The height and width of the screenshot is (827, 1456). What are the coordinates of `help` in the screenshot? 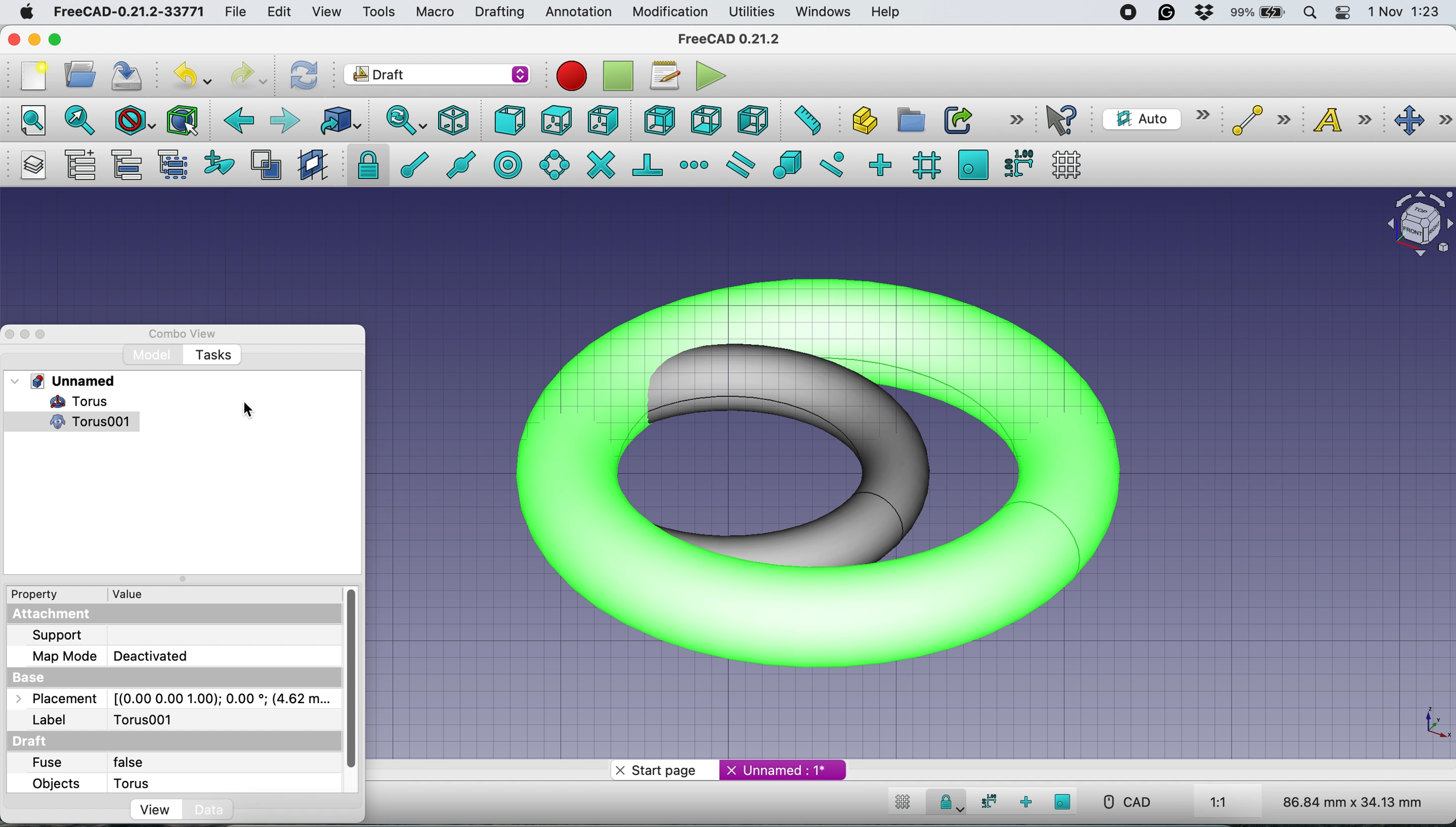 It's located at (883, 12).